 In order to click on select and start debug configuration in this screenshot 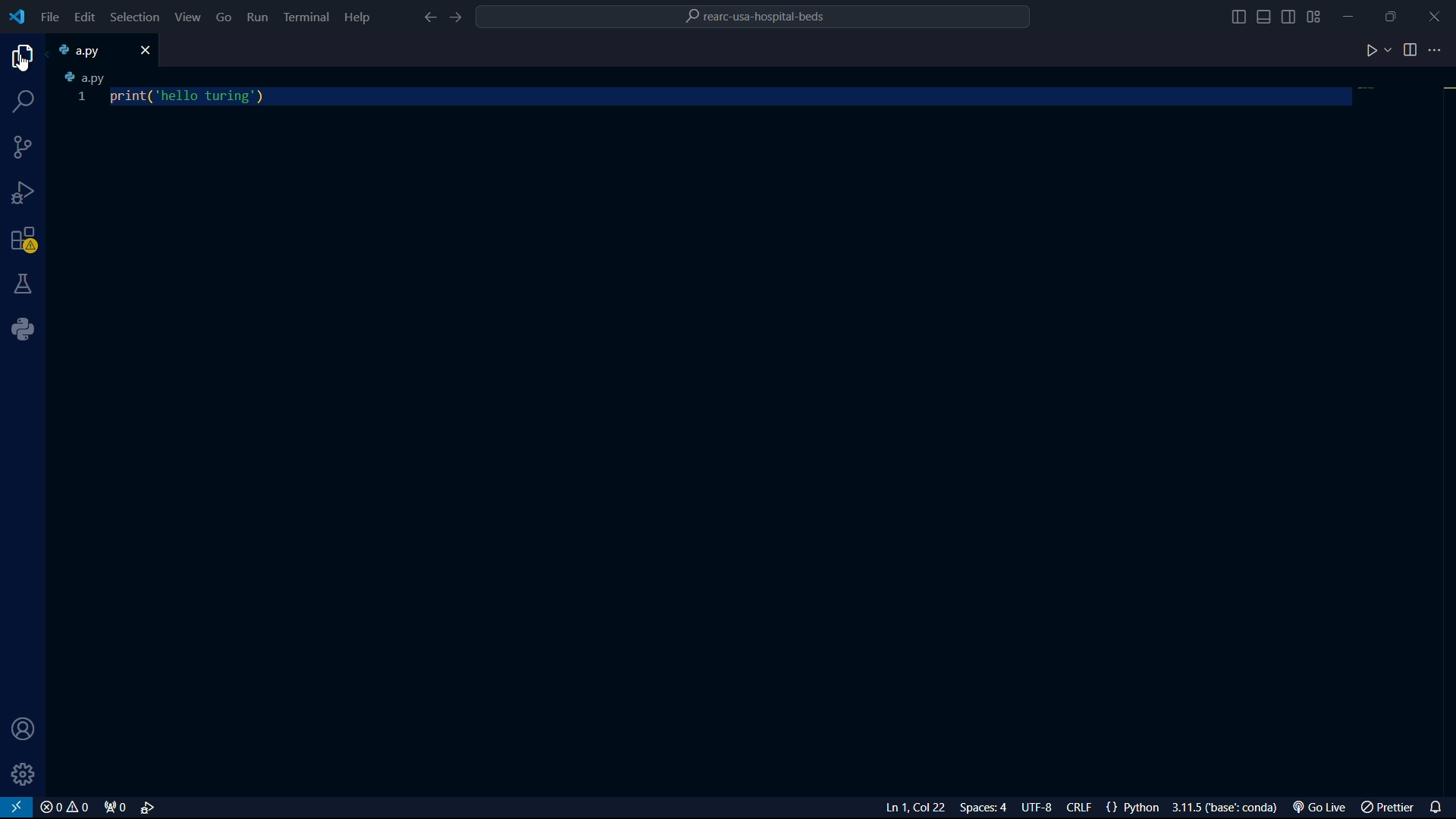, I will do `click(149, 808)`.